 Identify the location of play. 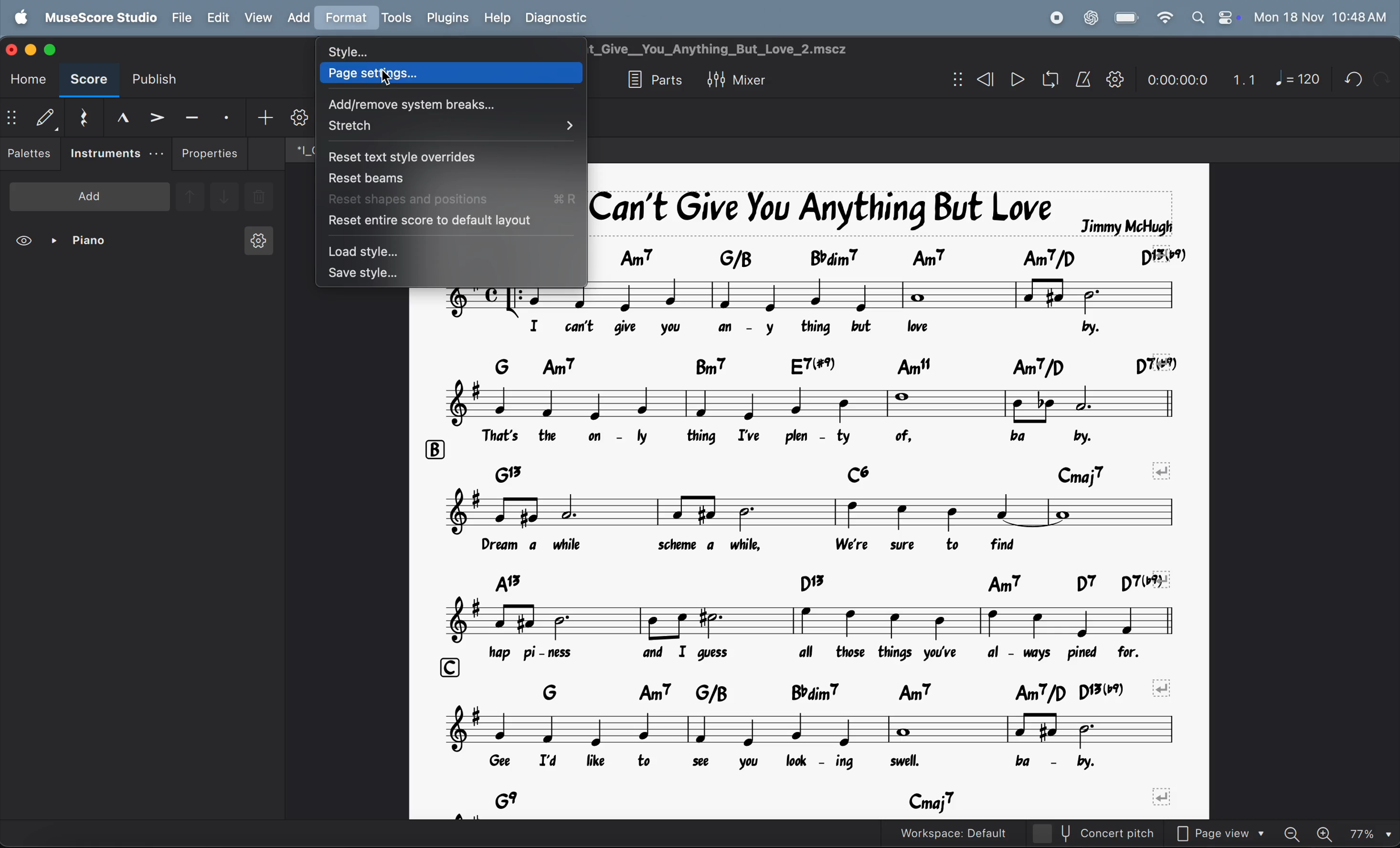
(1017, 81).